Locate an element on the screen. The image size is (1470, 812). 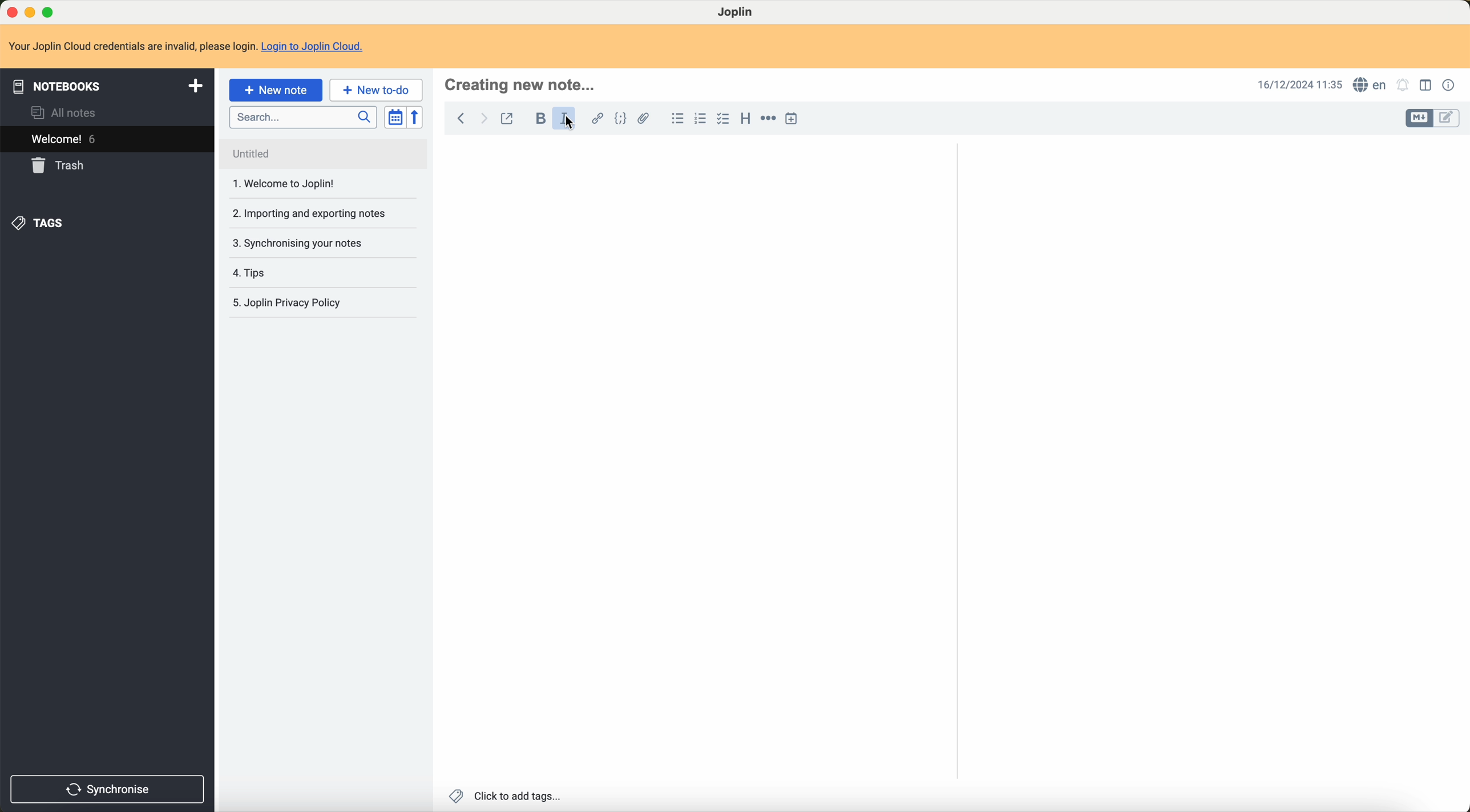
click to add tags is located at coordinates (506, 795).